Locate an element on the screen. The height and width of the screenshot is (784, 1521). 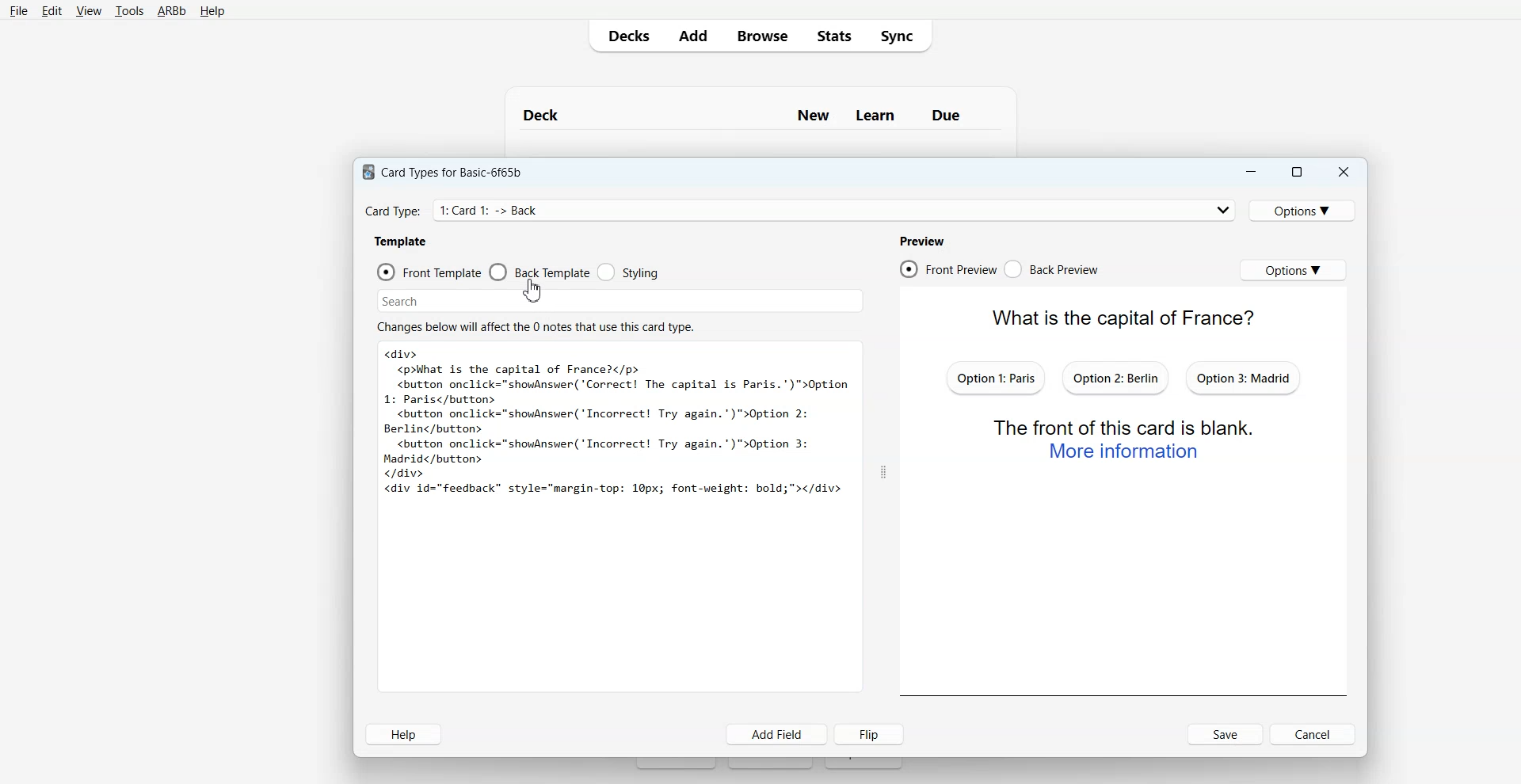
Options is located at coordinates (1294, 270).